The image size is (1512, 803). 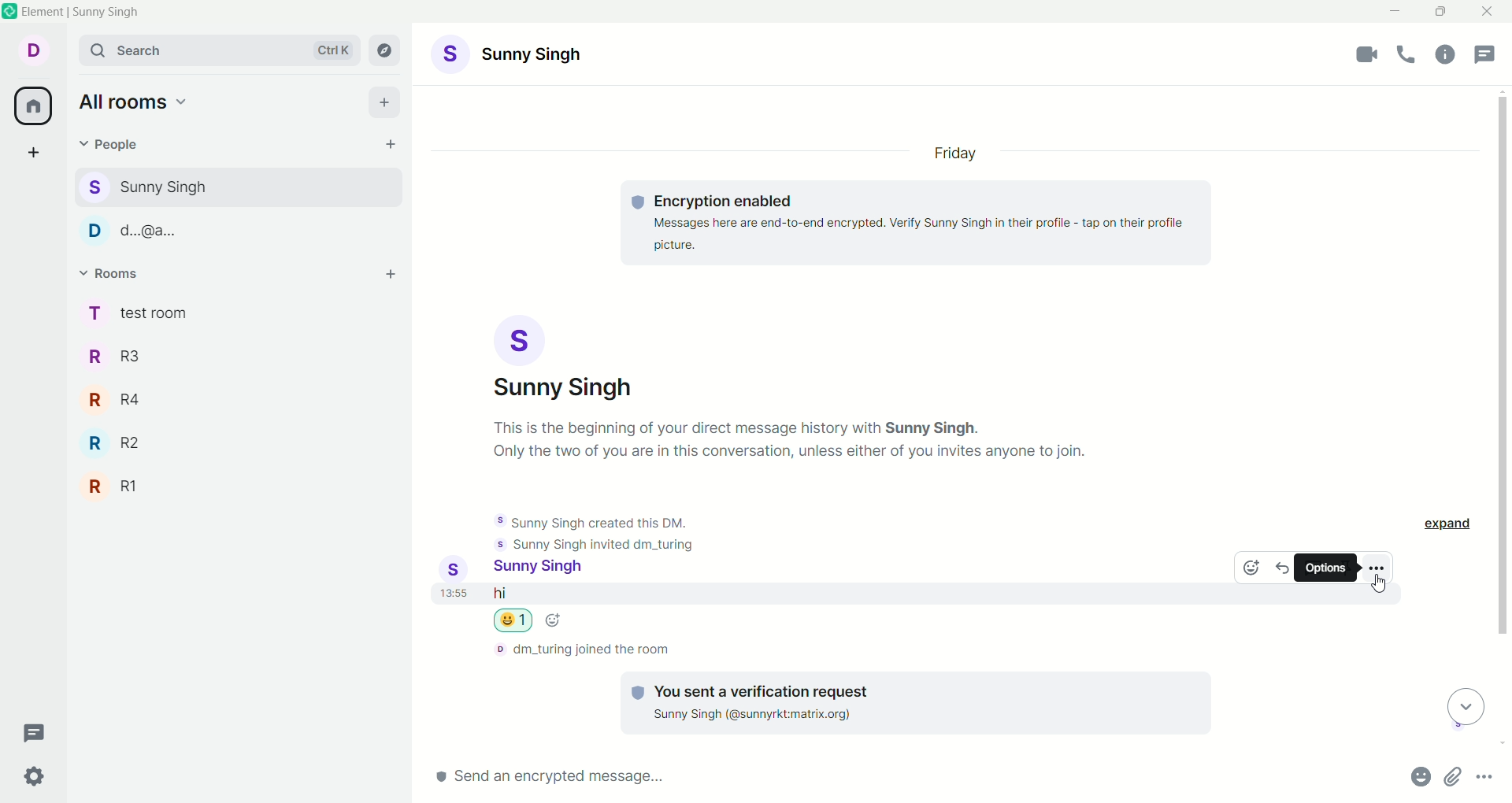 What do you see at coordinates (593, 530) in the screenshot?
I see `text` at bounding box center [593, 530].